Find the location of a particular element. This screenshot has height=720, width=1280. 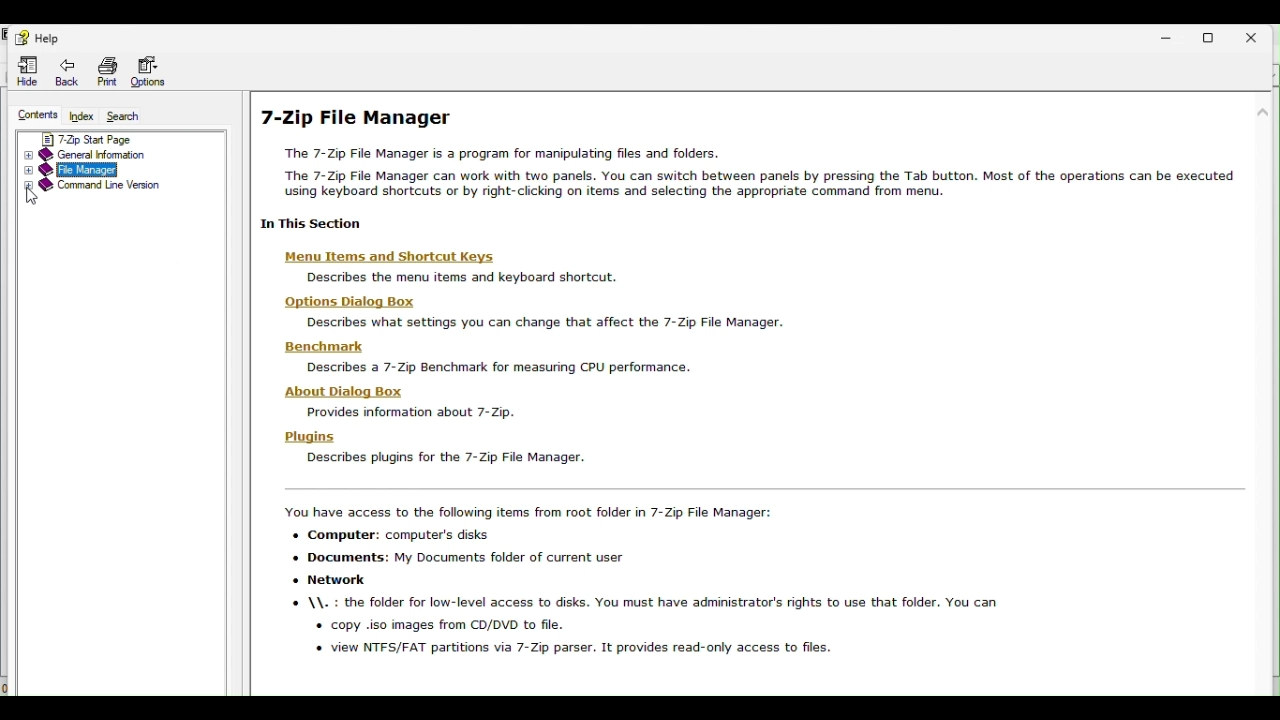

Command line version is located at coordinates (97, 184).